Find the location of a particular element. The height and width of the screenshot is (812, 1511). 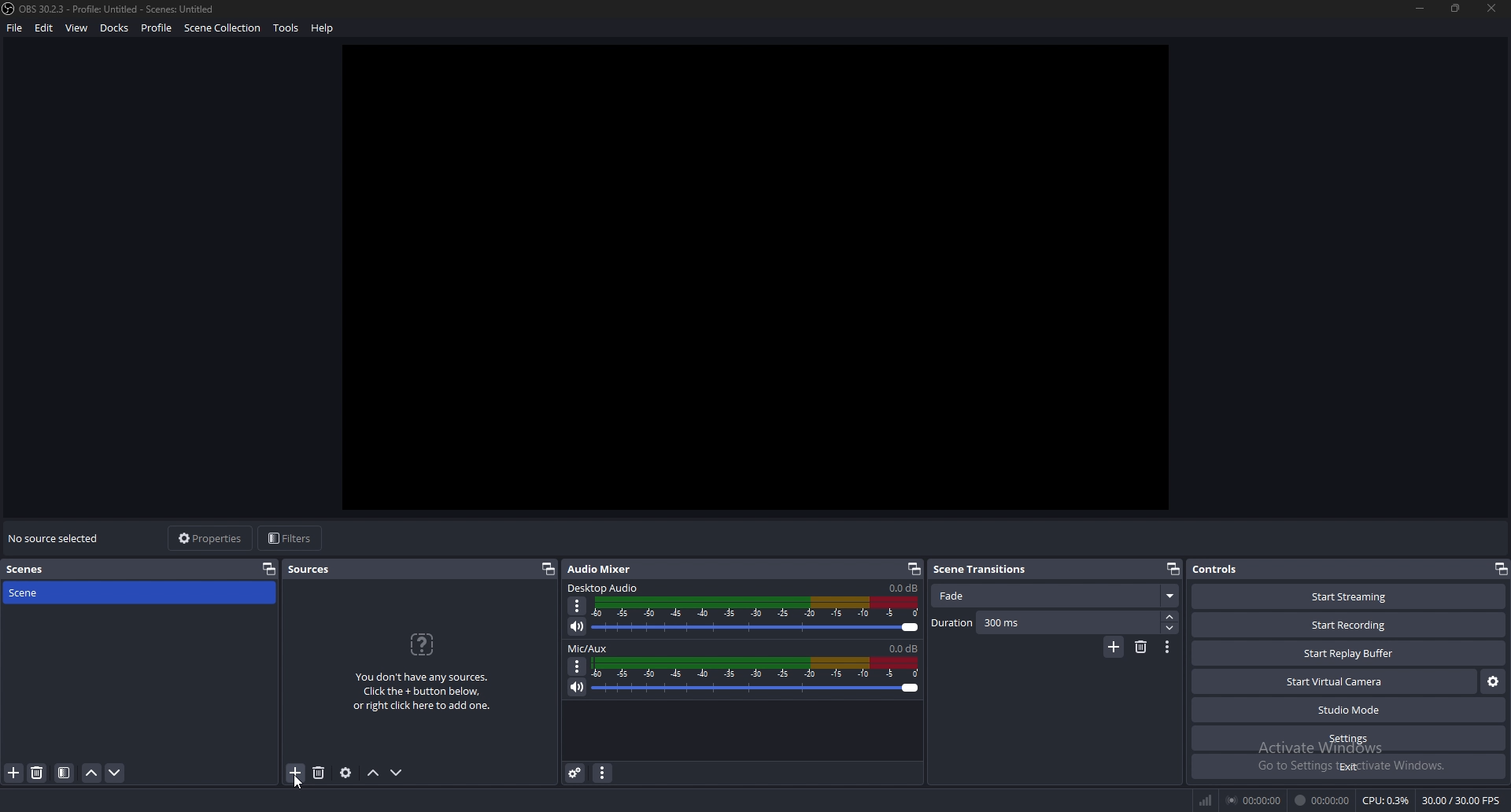

fade is located at coordinates (1057, 597).